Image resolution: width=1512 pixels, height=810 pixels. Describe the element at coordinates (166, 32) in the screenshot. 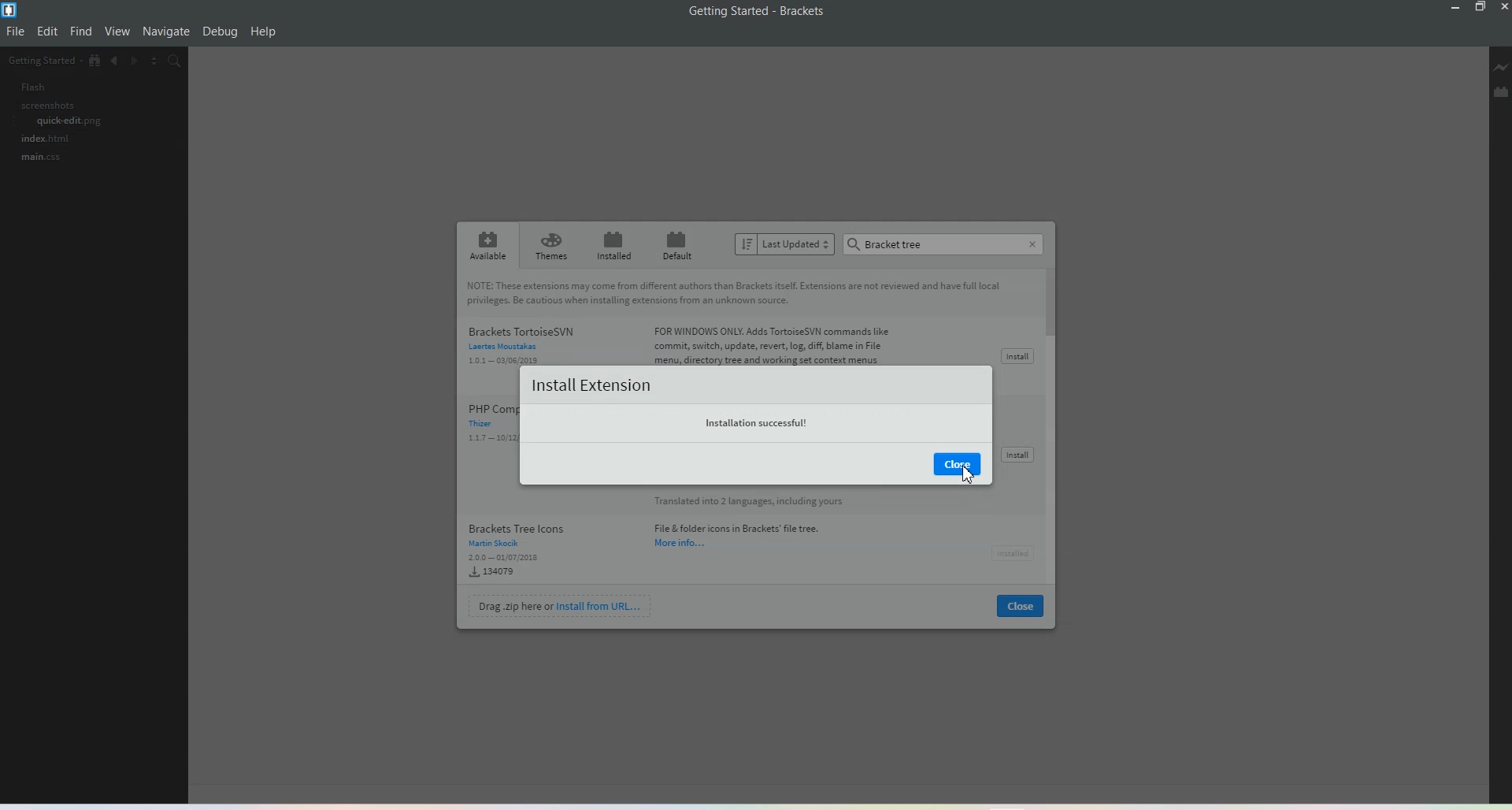

I see `Navigate` at that location.